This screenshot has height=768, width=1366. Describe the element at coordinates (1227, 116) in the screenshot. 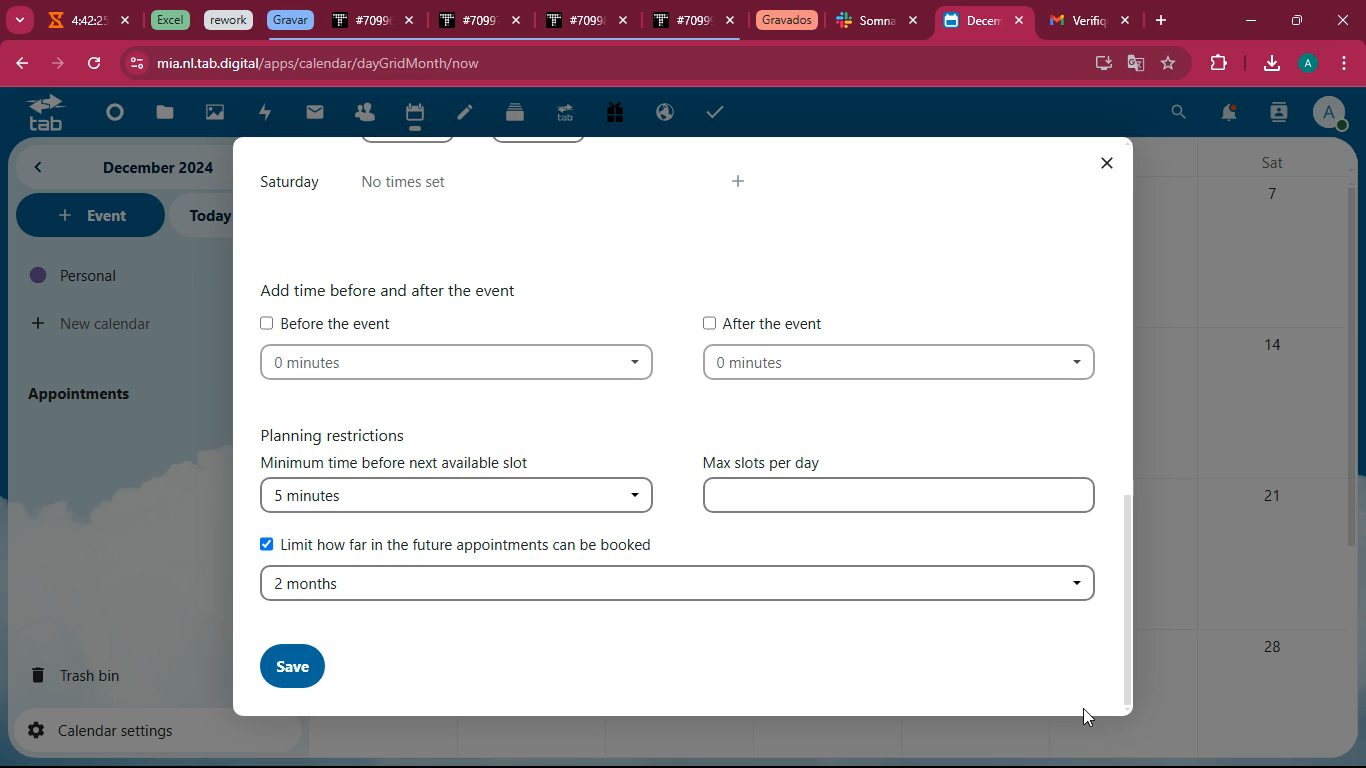

I see `notifications` at that location.